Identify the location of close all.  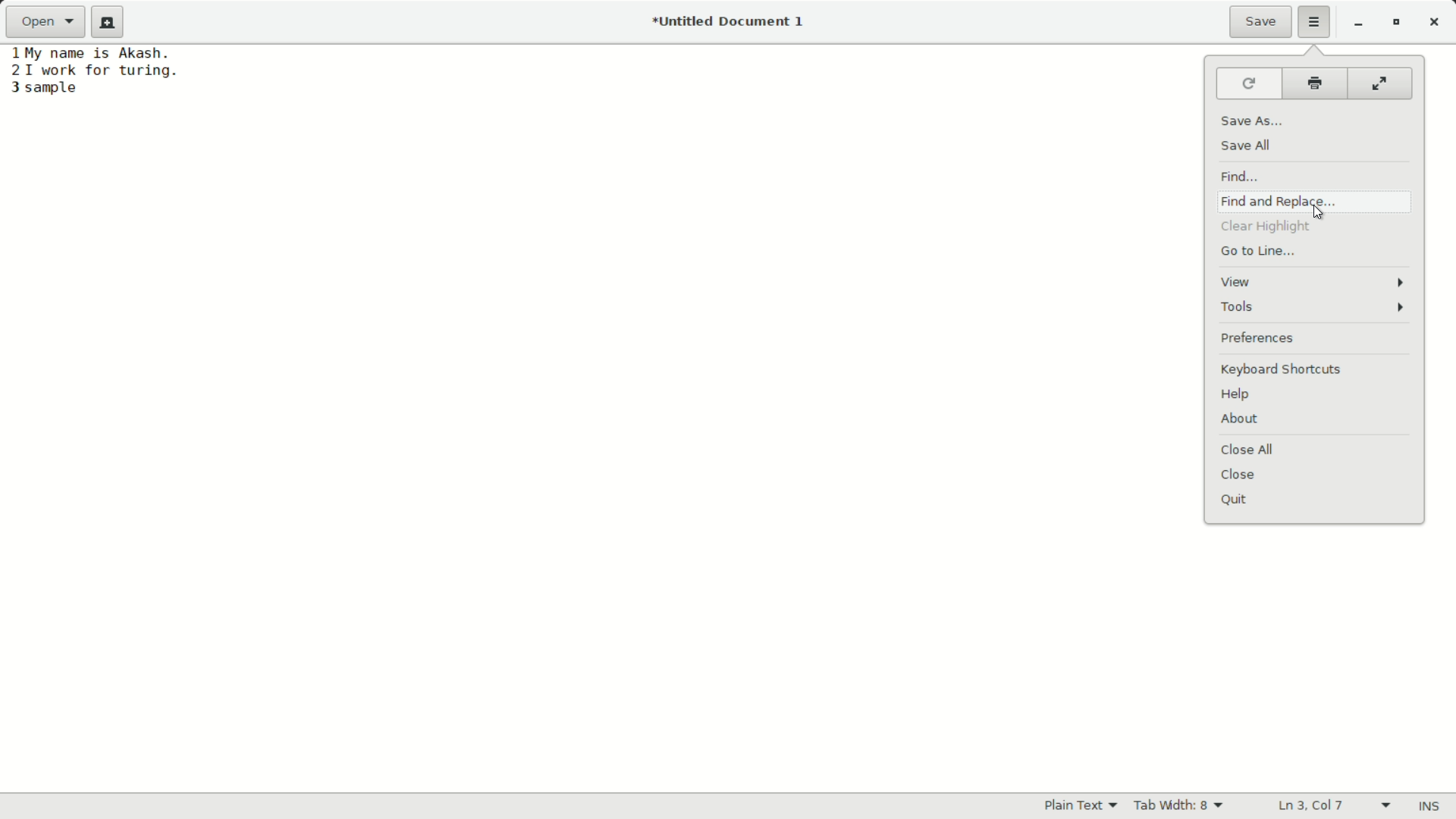
(1247, 450).